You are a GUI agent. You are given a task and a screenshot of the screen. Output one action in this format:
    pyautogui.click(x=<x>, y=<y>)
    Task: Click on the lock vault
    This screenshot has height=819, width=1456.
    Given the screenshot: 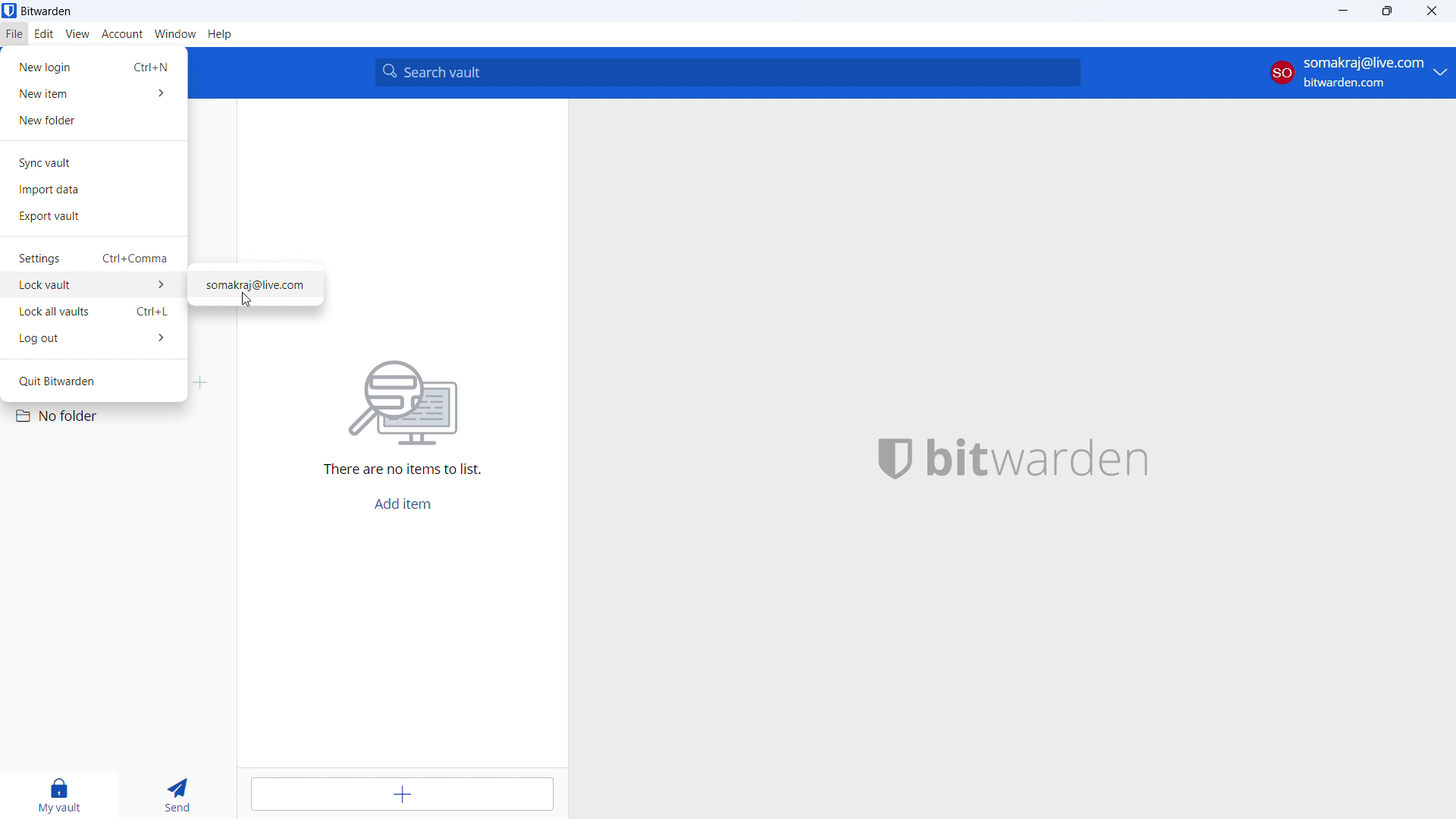 What is the action you would take?
    pyautogui.click(x=93, y=286)
    